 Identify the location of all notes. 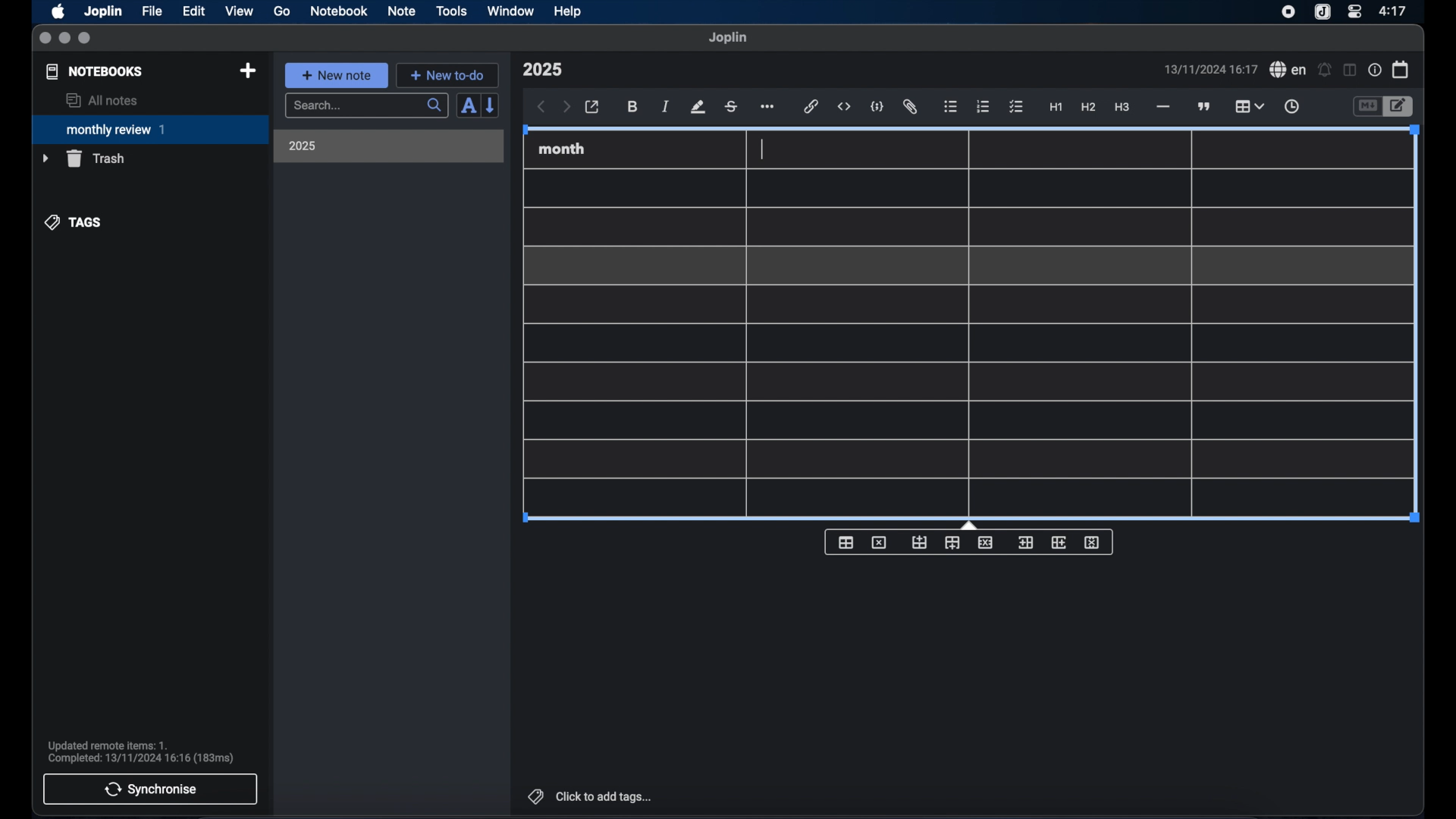
(102, 100).